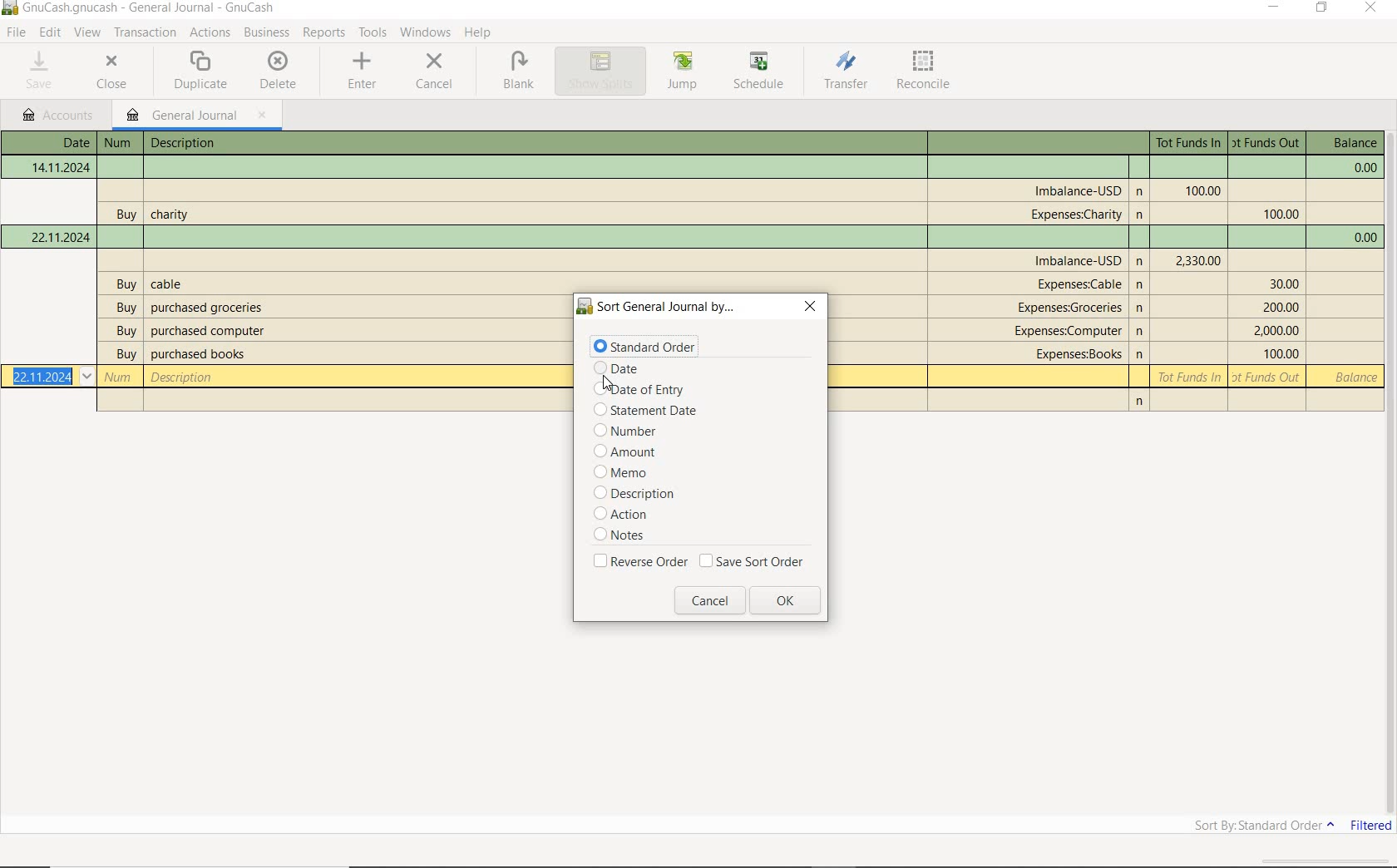  I want to click on n, so click(1142, 353).